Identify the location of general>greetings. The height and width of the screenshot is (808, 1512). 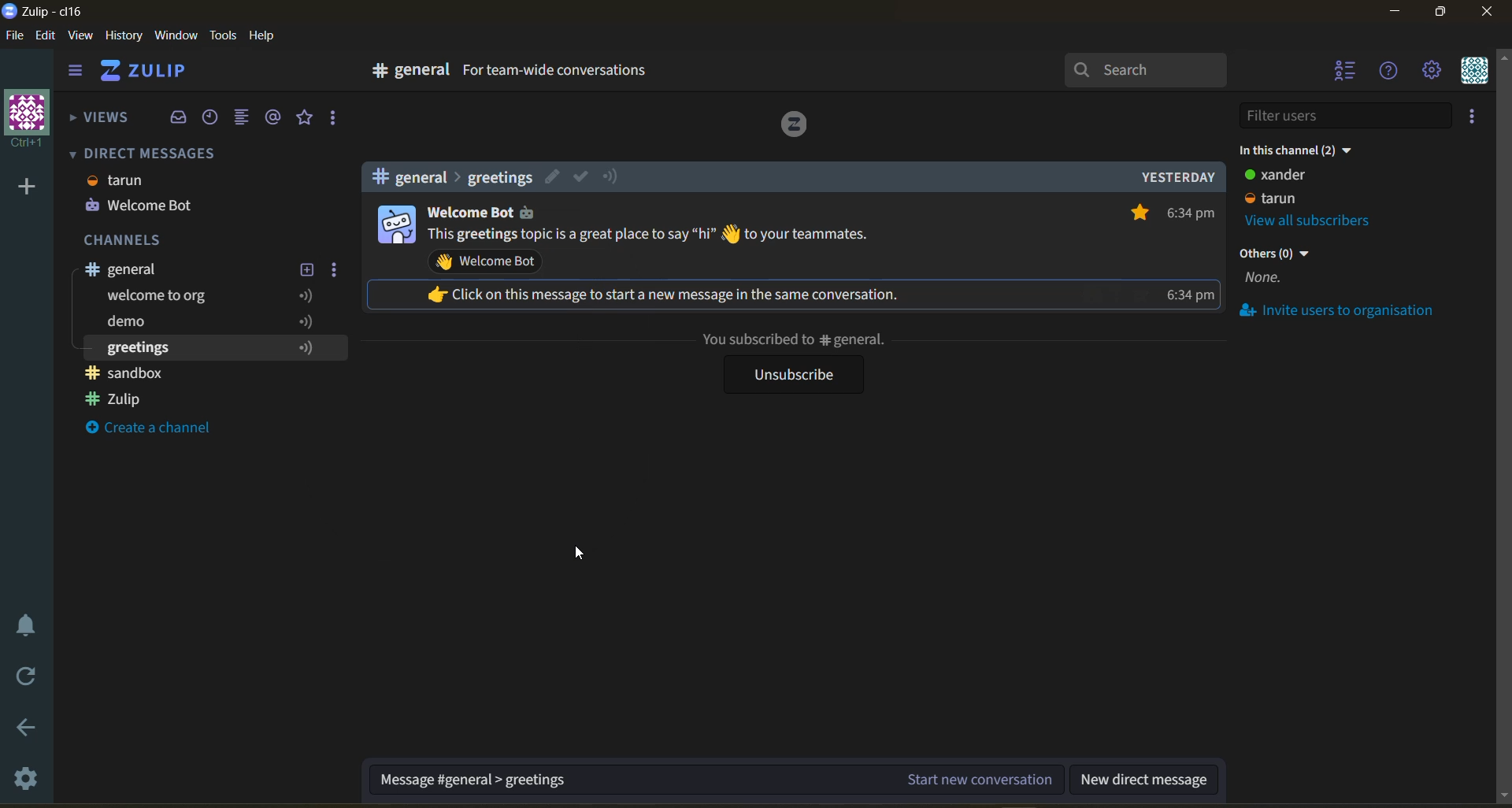
(447, 177).